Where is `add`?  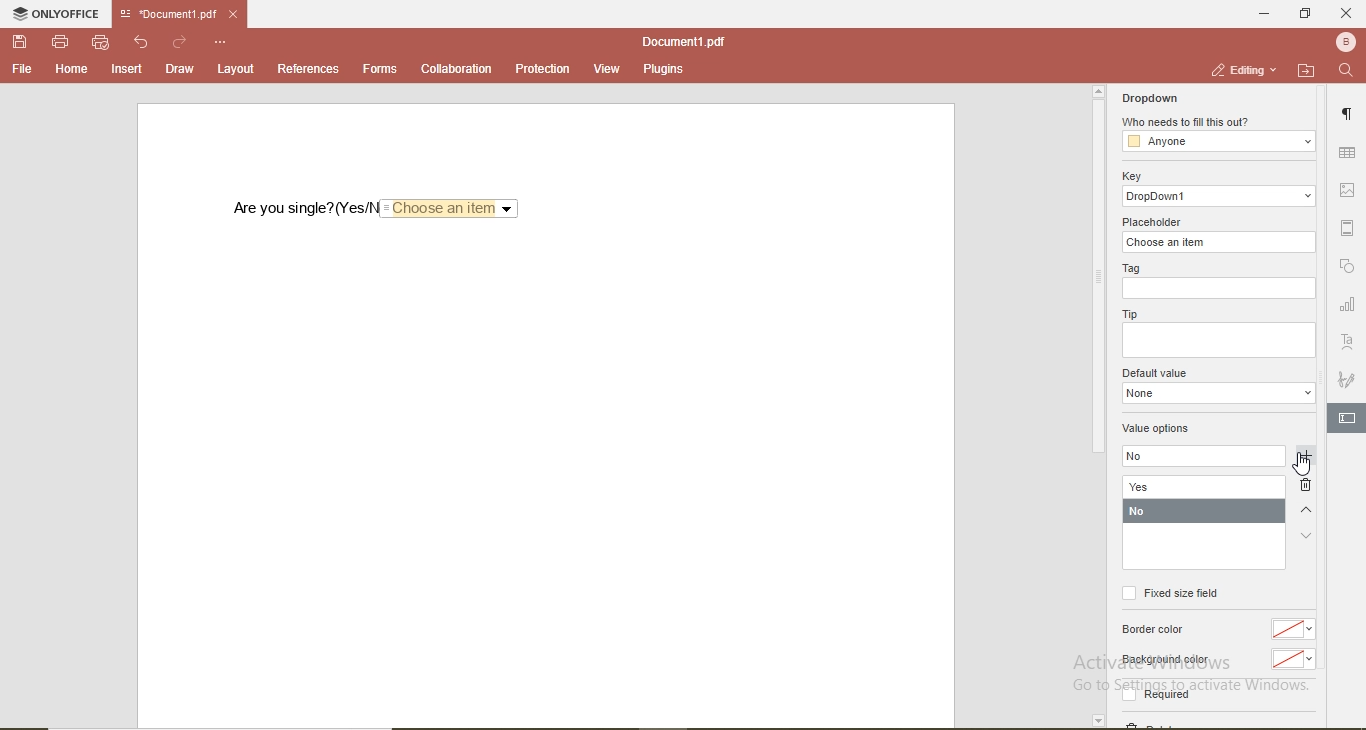 add is located at coordinates (1306, 456).